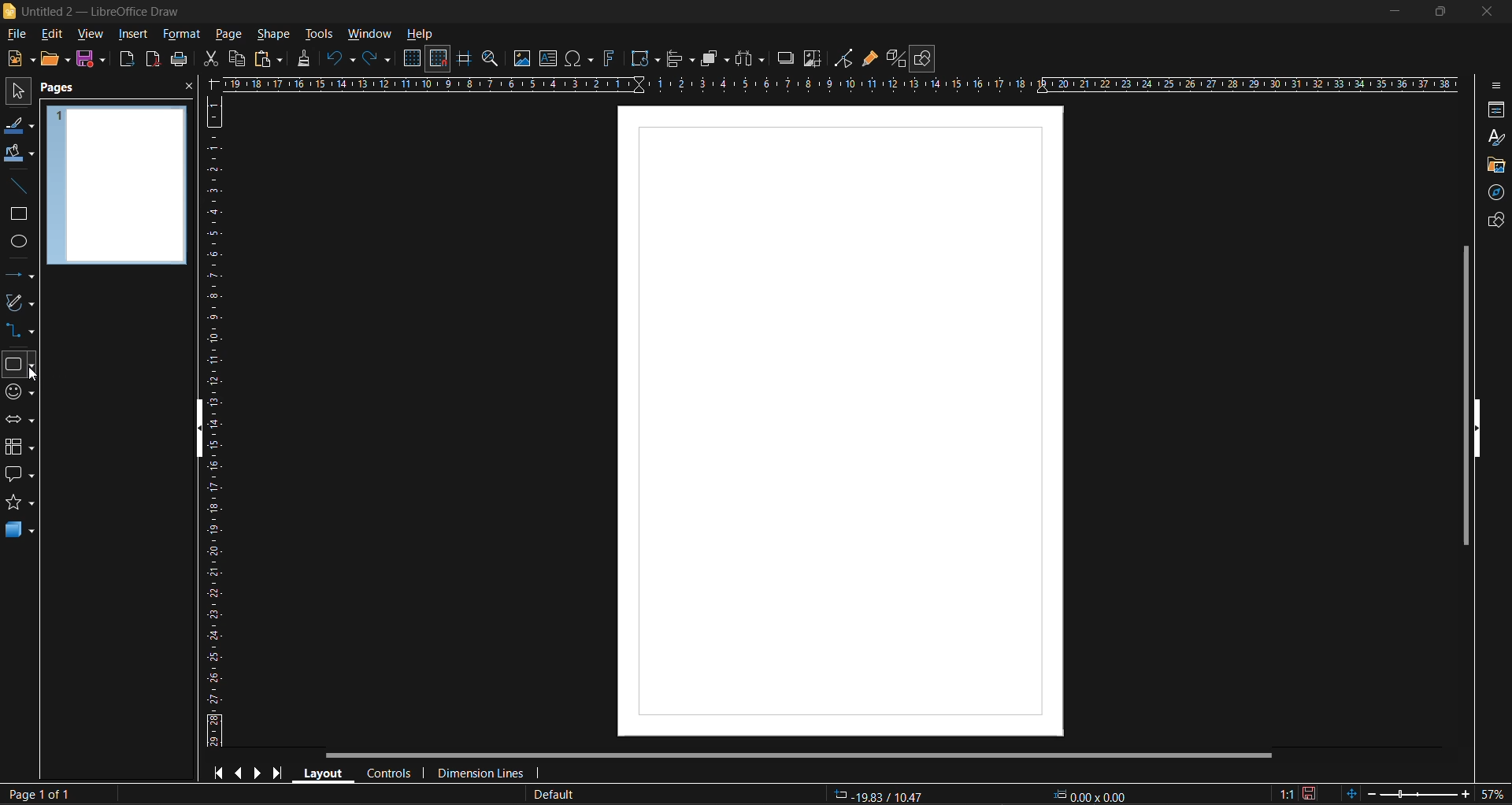 The height and width of the screenshot is (805, 1512). What do you see at coordinates (1494, 88) in the screenshot?
I see `sidebar` at bounding box center [1494, 88].